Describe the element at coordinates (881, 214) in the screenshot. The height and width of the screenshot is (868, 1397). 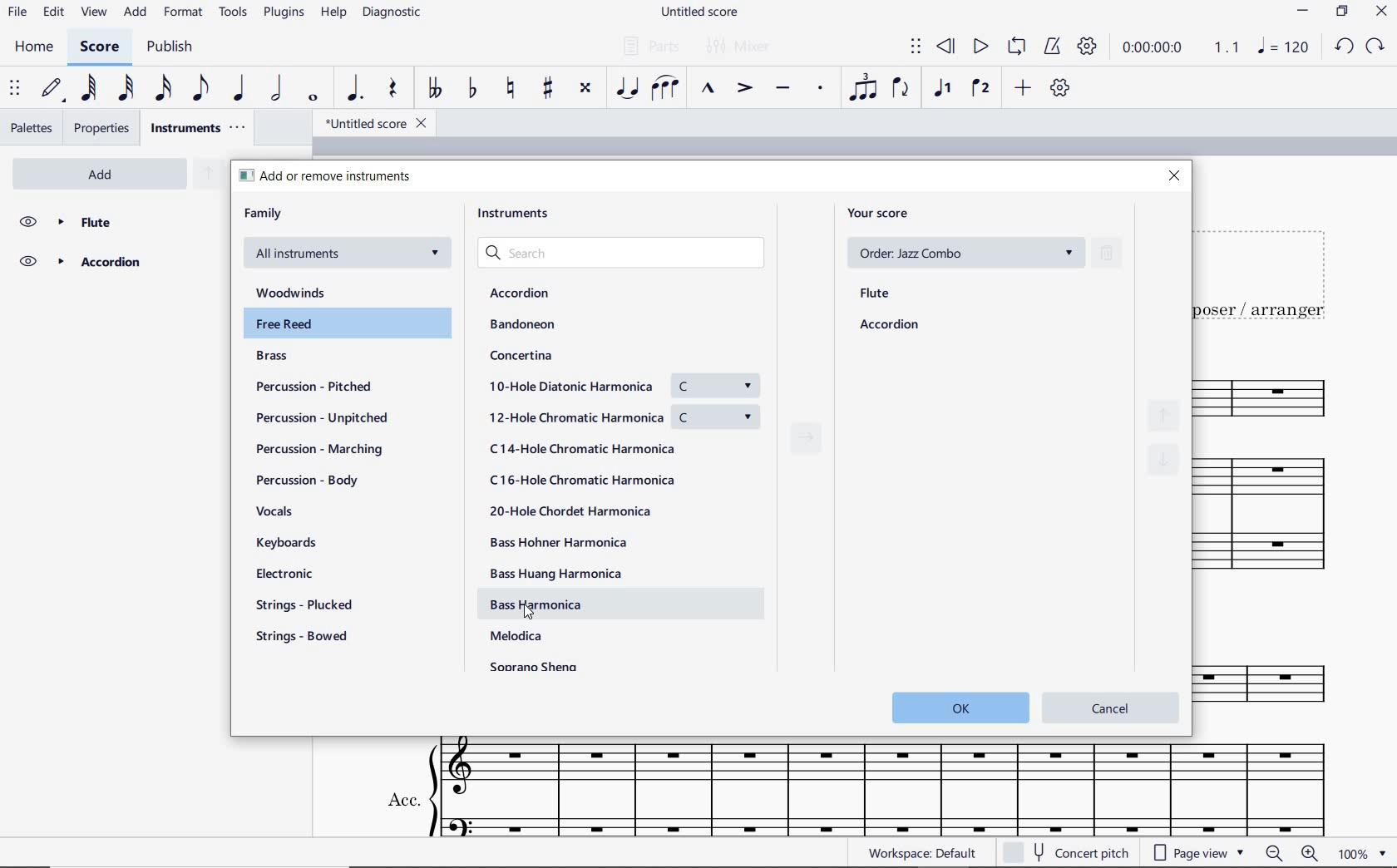
I see `your score` at that location.